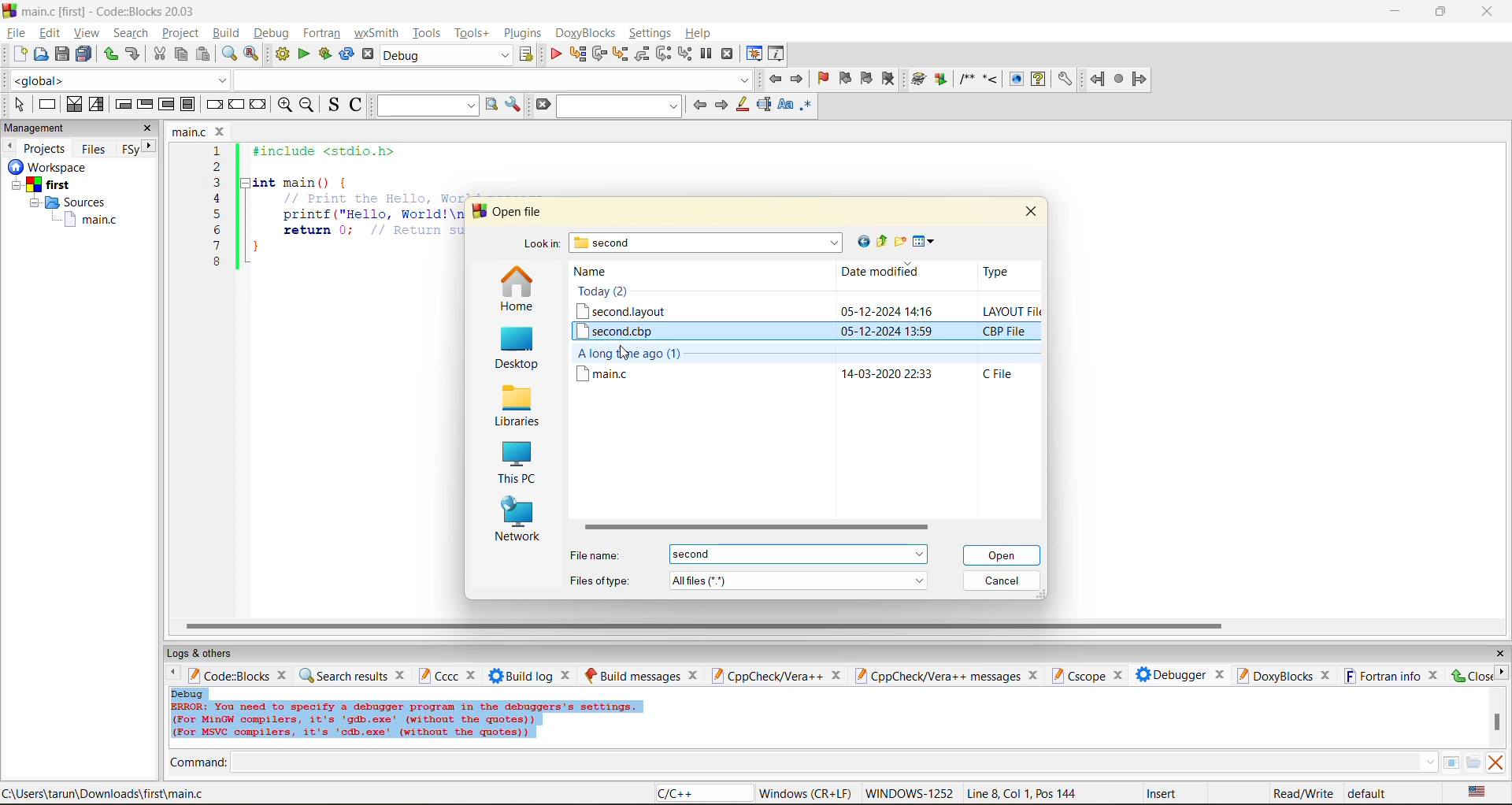 The width and height of the screenshot is (1512, 805). What do you see at coordinates (621, 106) in the screenshot?
I see `search` at bounding box center [621, 106].